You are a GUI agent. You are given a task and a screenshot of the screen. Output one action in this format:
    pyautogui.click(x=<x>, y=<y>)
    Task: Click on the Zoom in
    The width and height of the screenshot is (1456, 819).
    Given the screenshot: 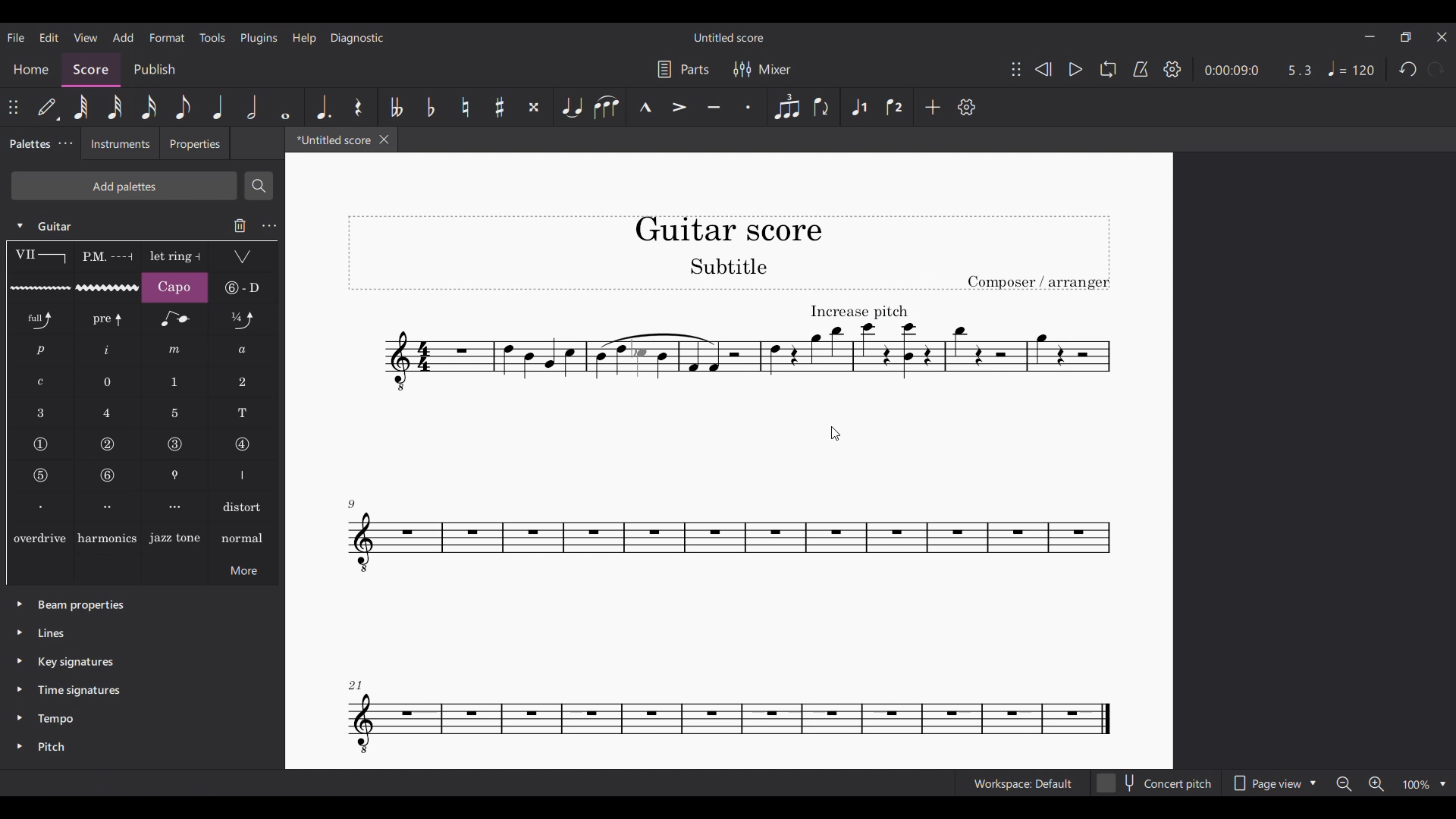 What is the action you would take?
    pyautogui.click(x=1376, y=784)
    